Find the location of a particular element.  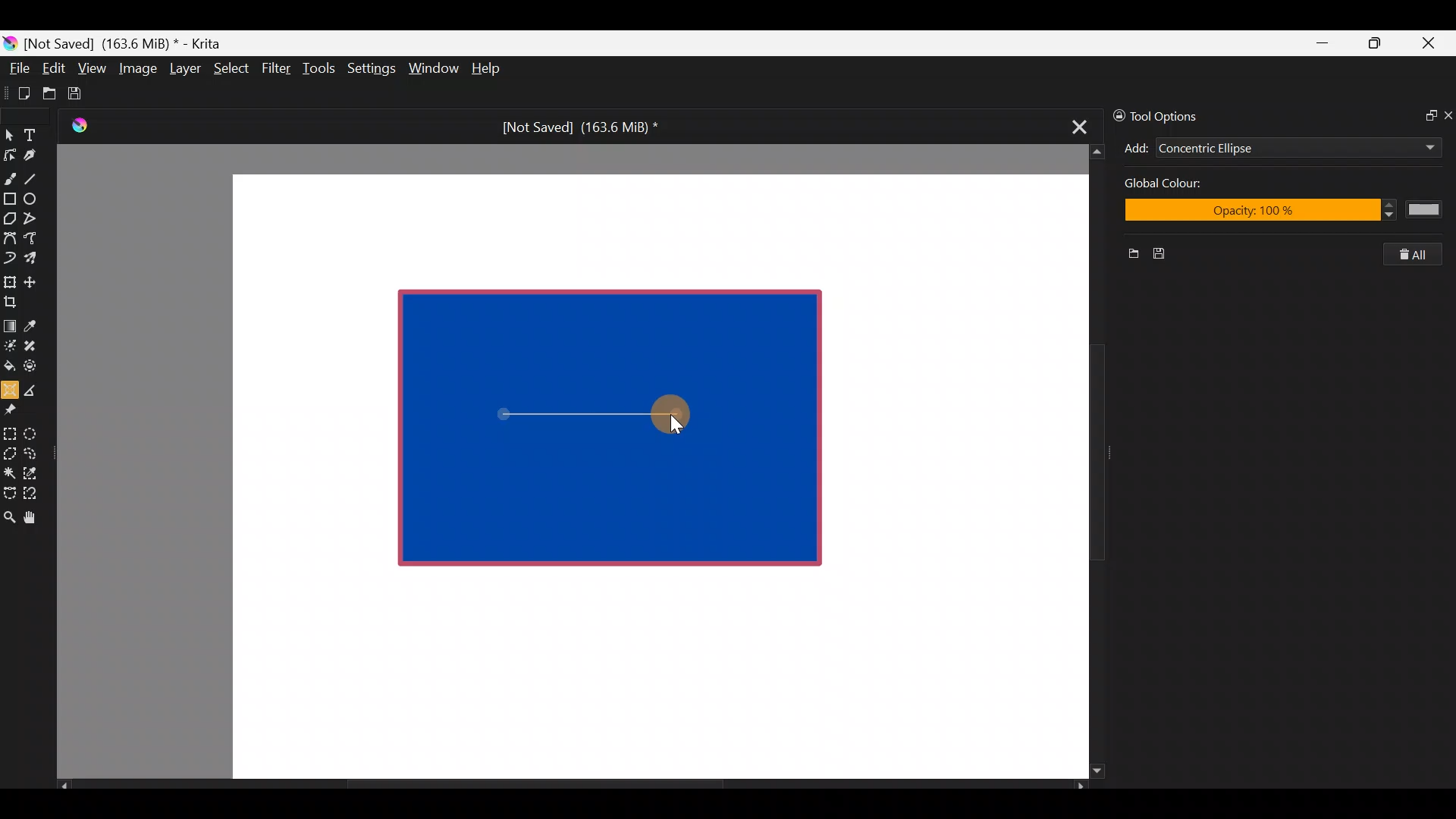

Open an existing document is located at coordinates (50, 96).